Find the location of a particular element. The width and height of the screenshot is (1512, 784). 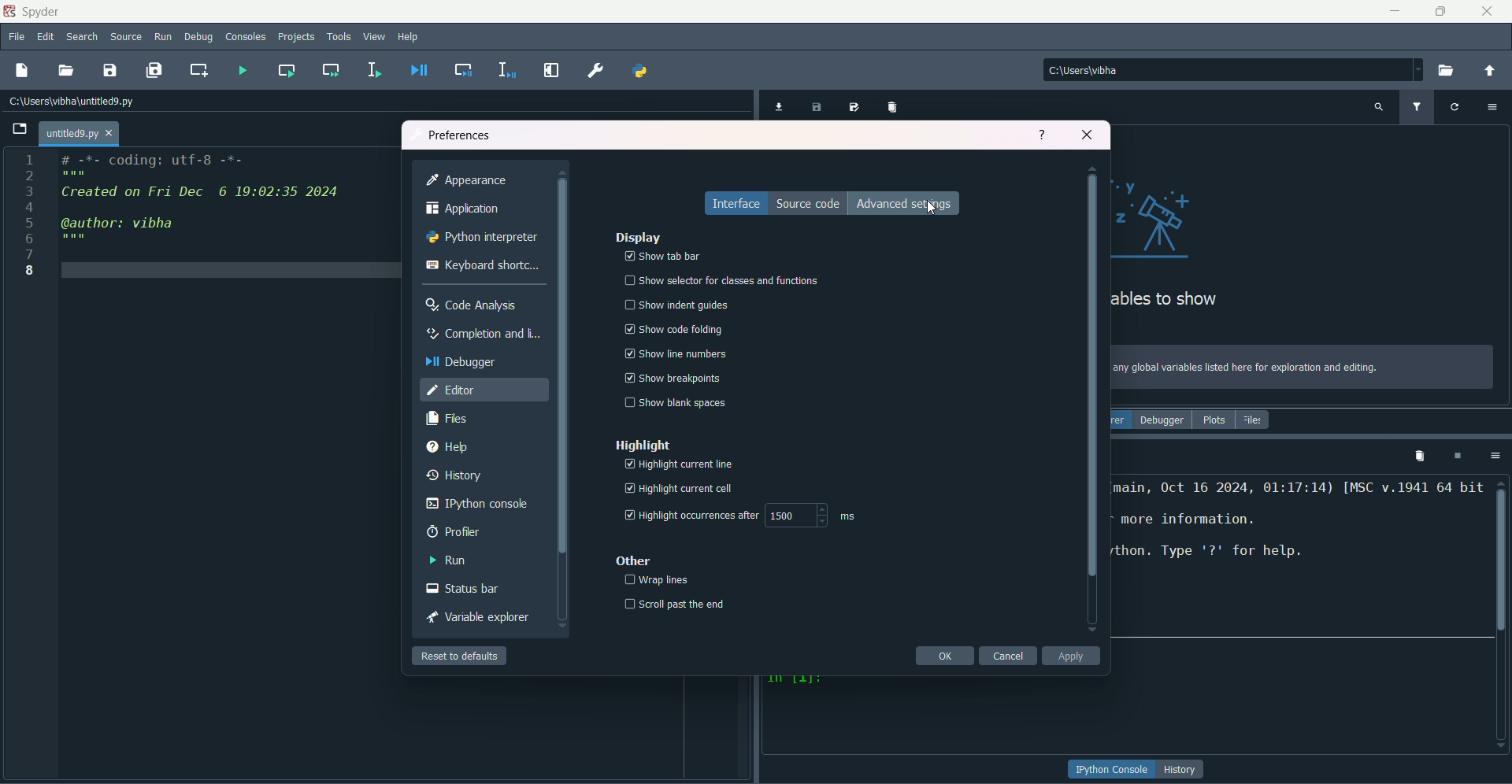

highlight is located at coordinates (643, 445).